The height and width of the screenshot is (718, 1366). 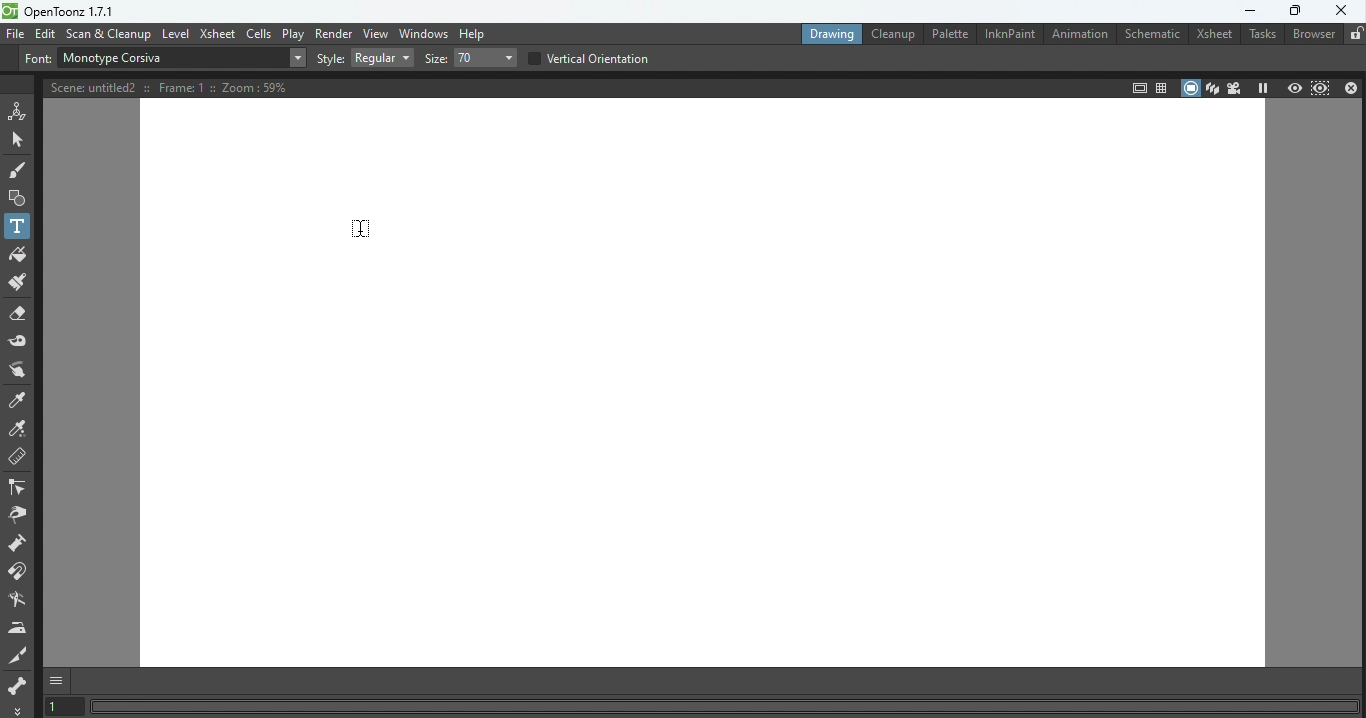 I want to click on Drawing, so click(x=826, y=35).